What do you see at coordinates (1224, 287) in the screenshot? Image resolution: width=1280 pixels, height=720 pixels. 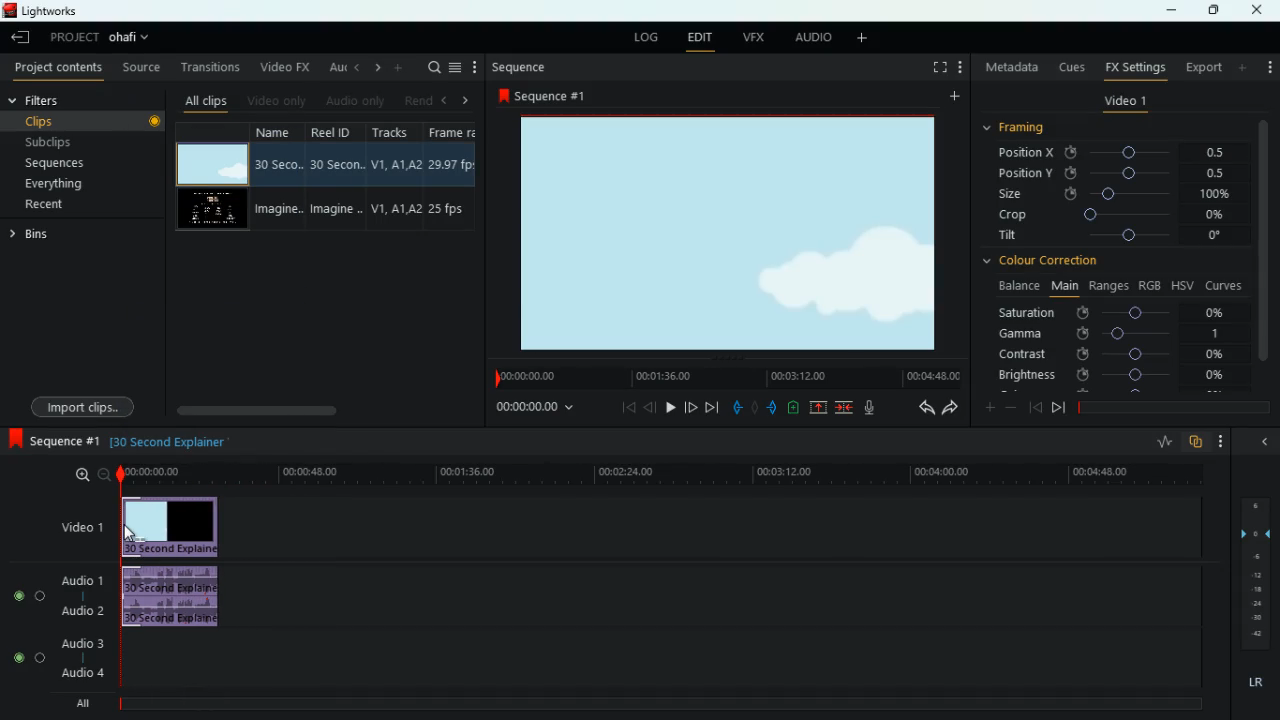 I see `curves` at bounding box center [1224, 287].